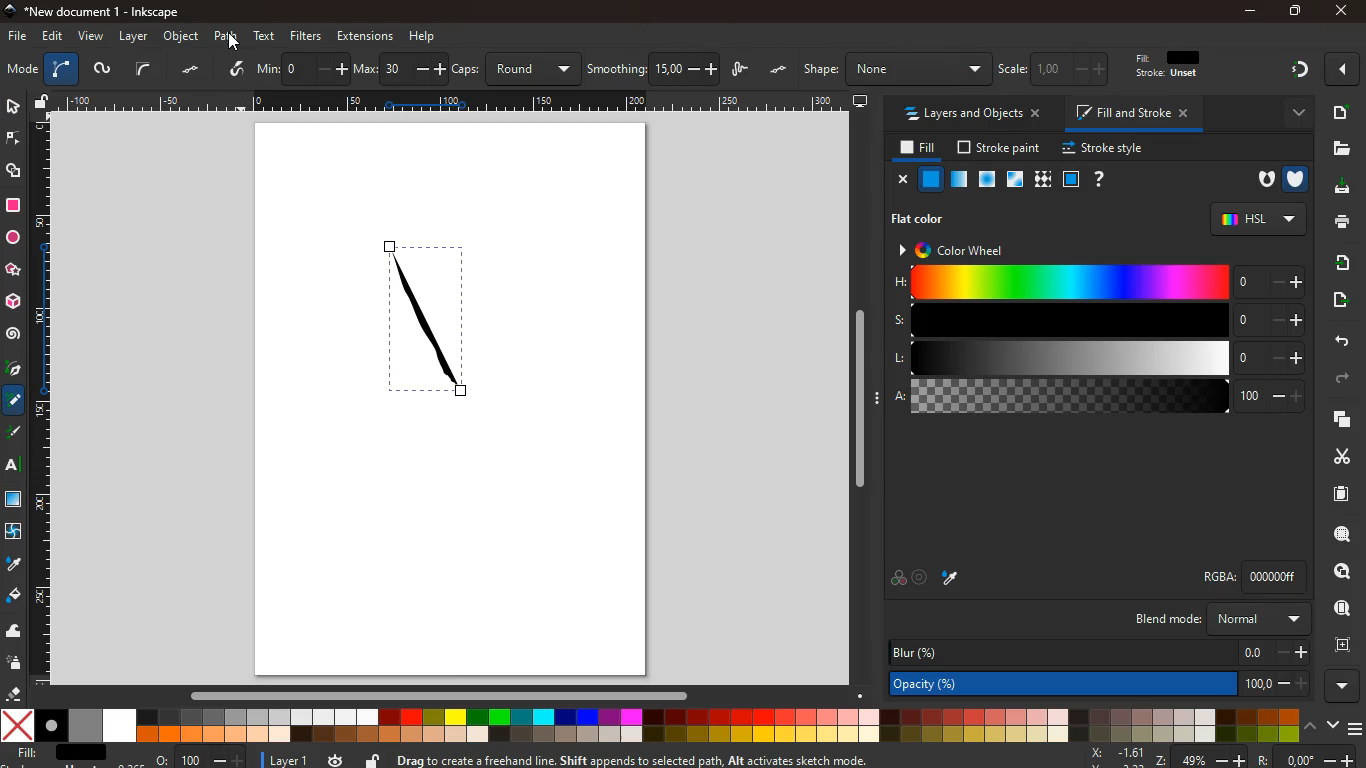 The image size is (1366, 768). I want to click on unlock, so click(43, 103).